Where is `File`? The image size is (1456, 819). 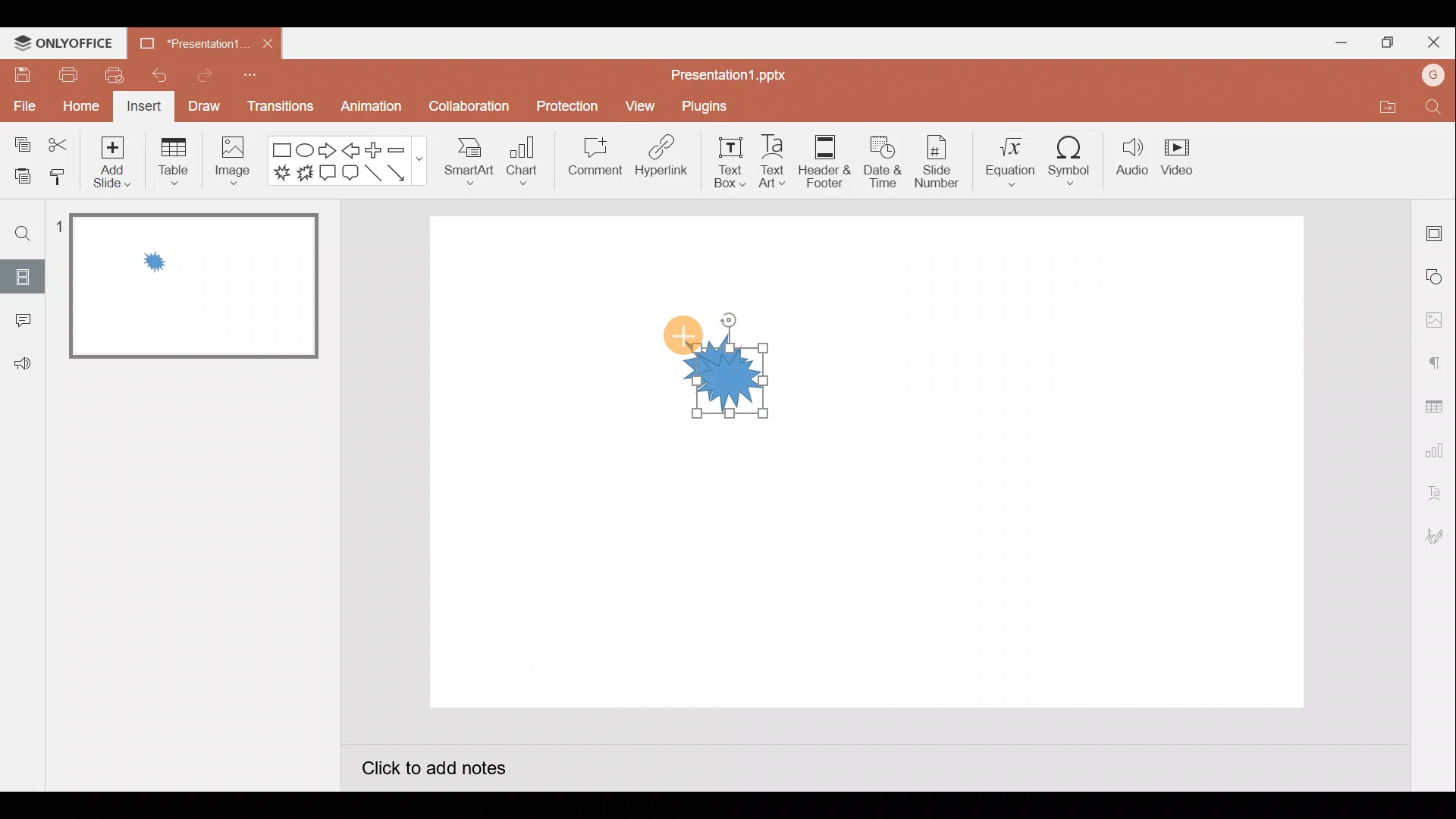
File is located at coordinates (23, 108).